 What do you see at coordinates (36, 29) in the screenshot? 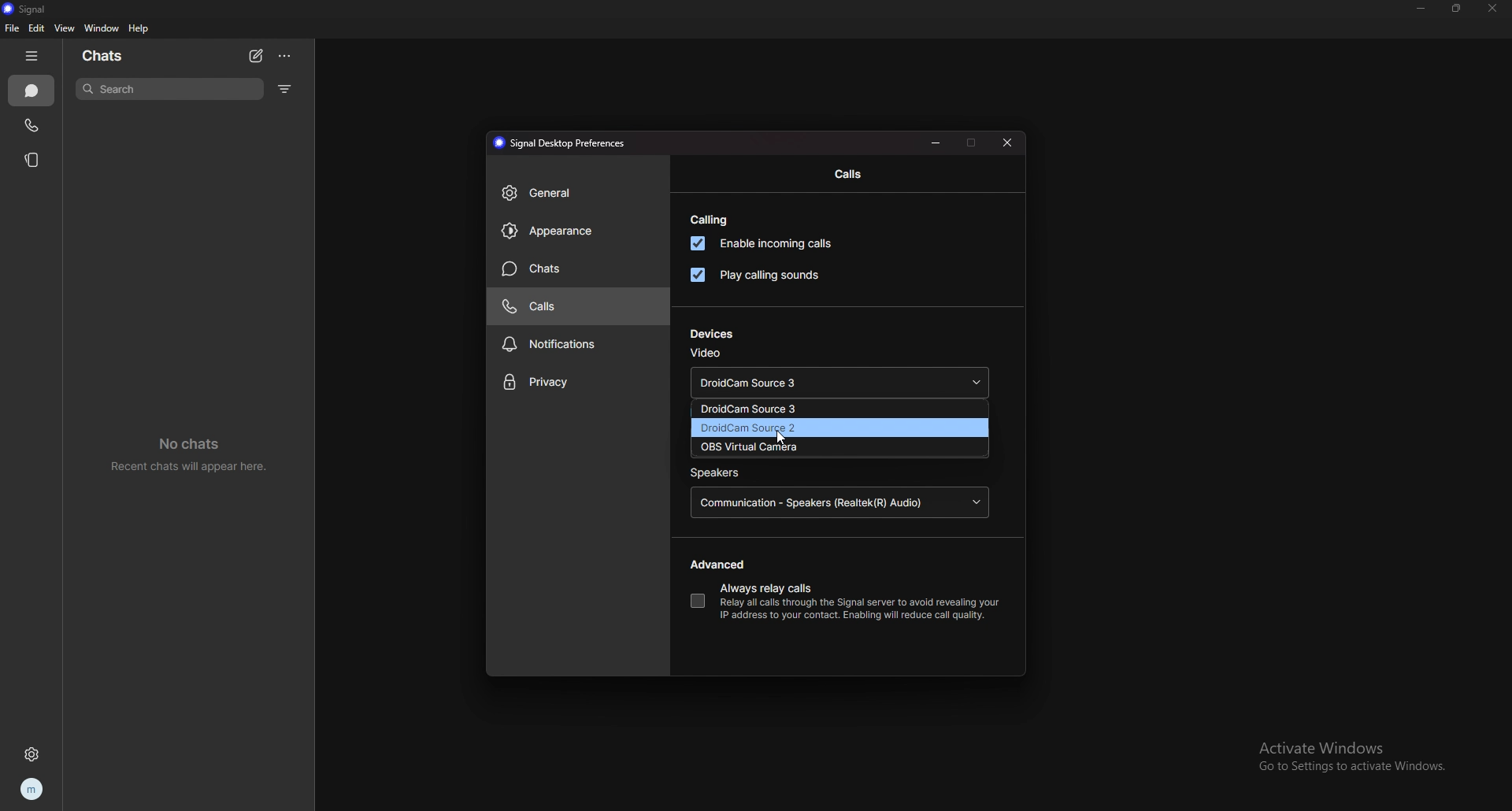
I see `edit` at bounding box center [36, 29].